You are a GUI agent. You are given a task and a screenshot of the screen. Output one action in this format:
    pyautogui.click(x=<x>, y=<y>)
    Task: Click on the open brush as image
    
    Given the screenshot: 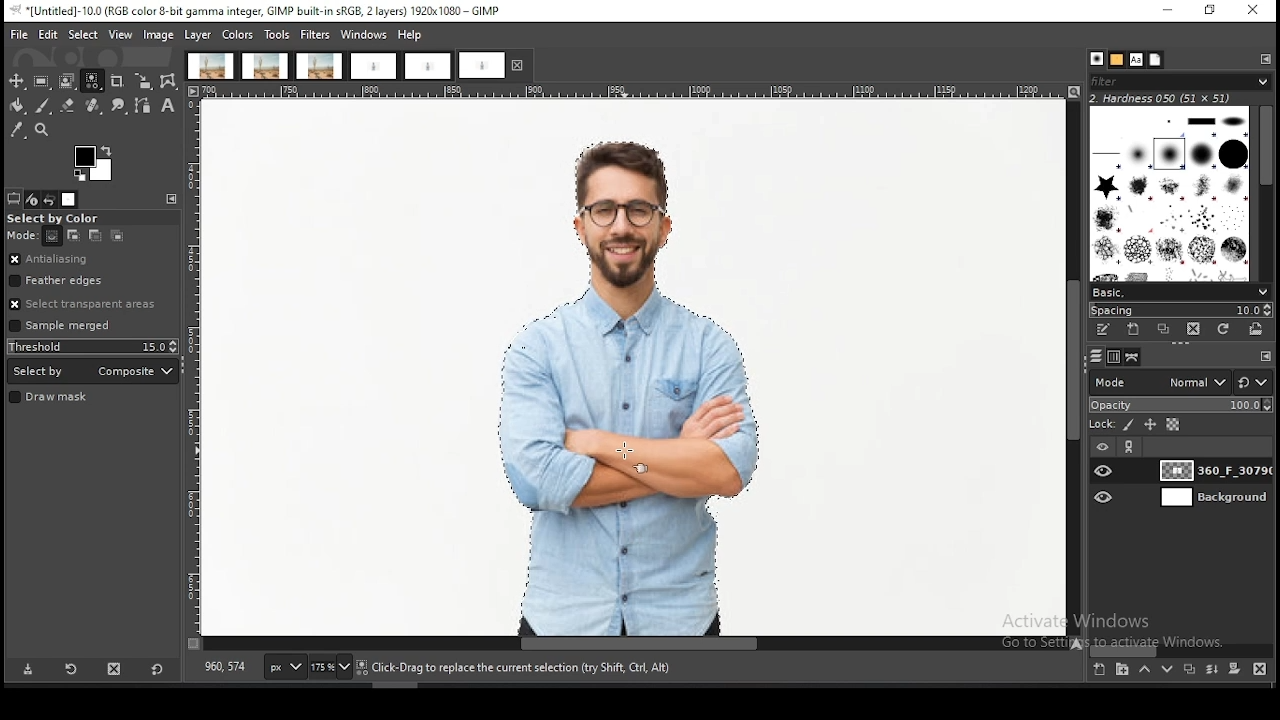 What is the action you would take?
    pyautogui.click(x=1255, y=329)
    